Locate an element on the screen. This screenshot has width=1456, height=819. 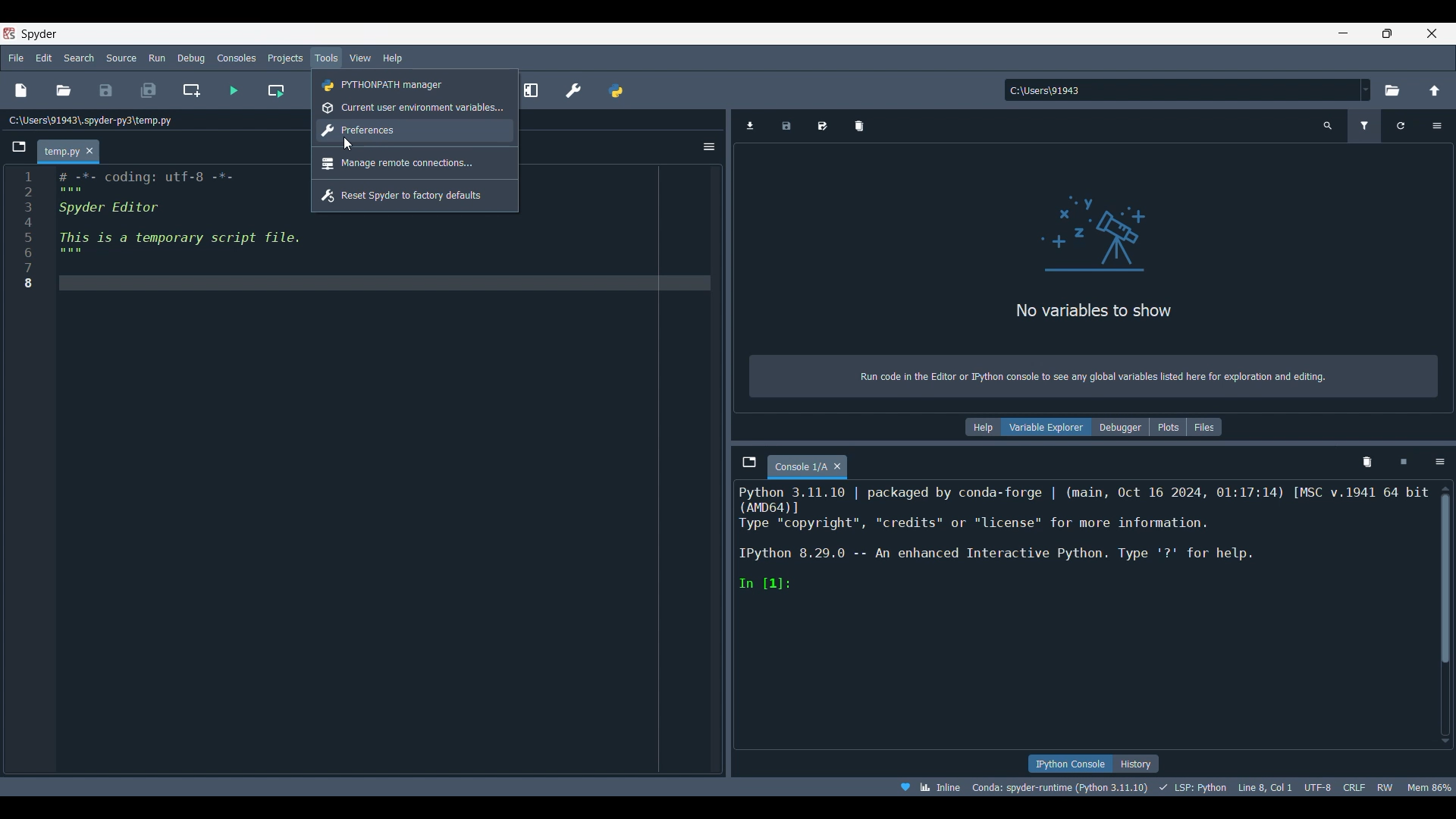
New is located at coordinates (20, 90).